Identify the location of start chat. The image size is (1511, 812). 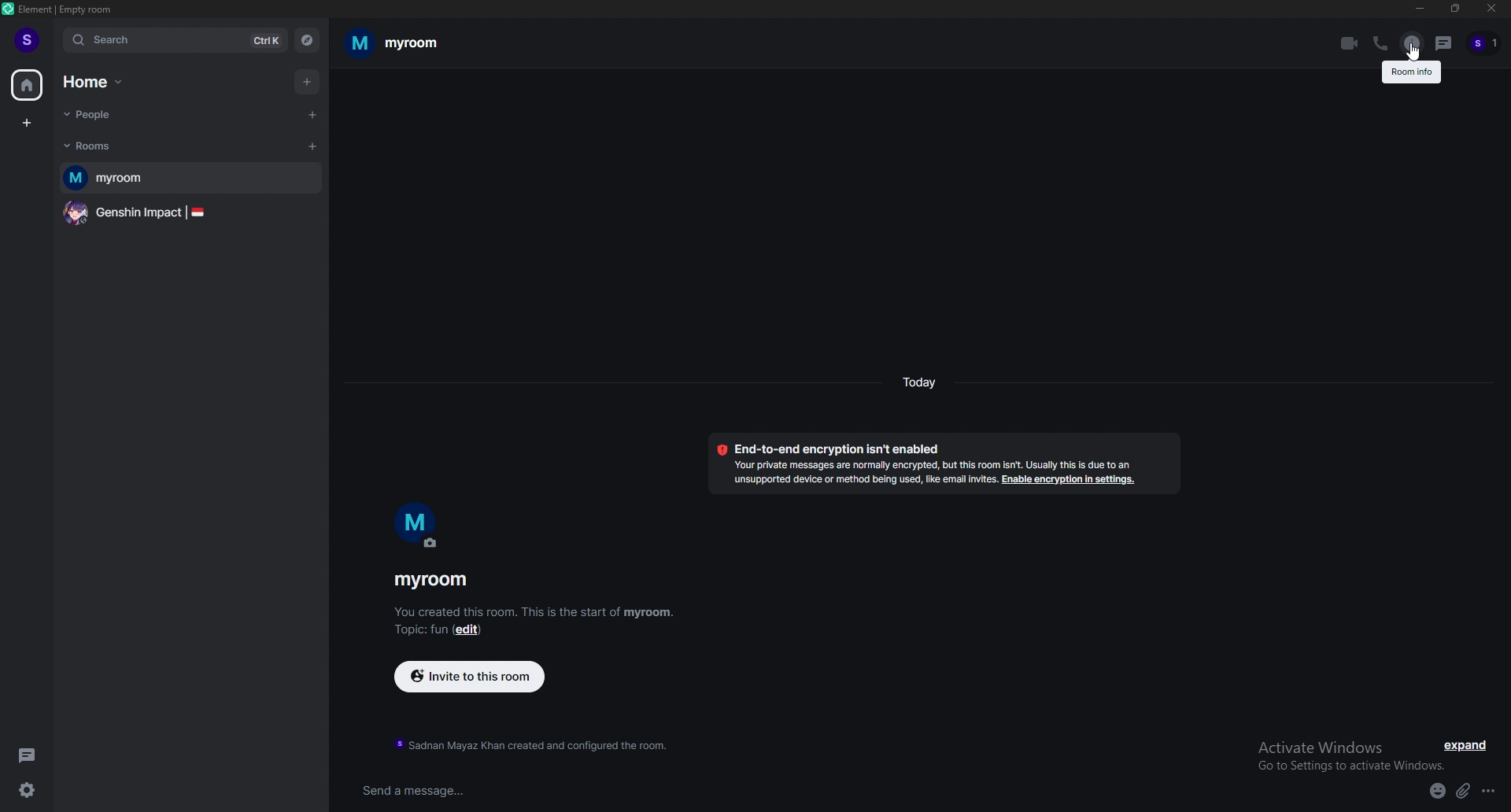
(314, 116).